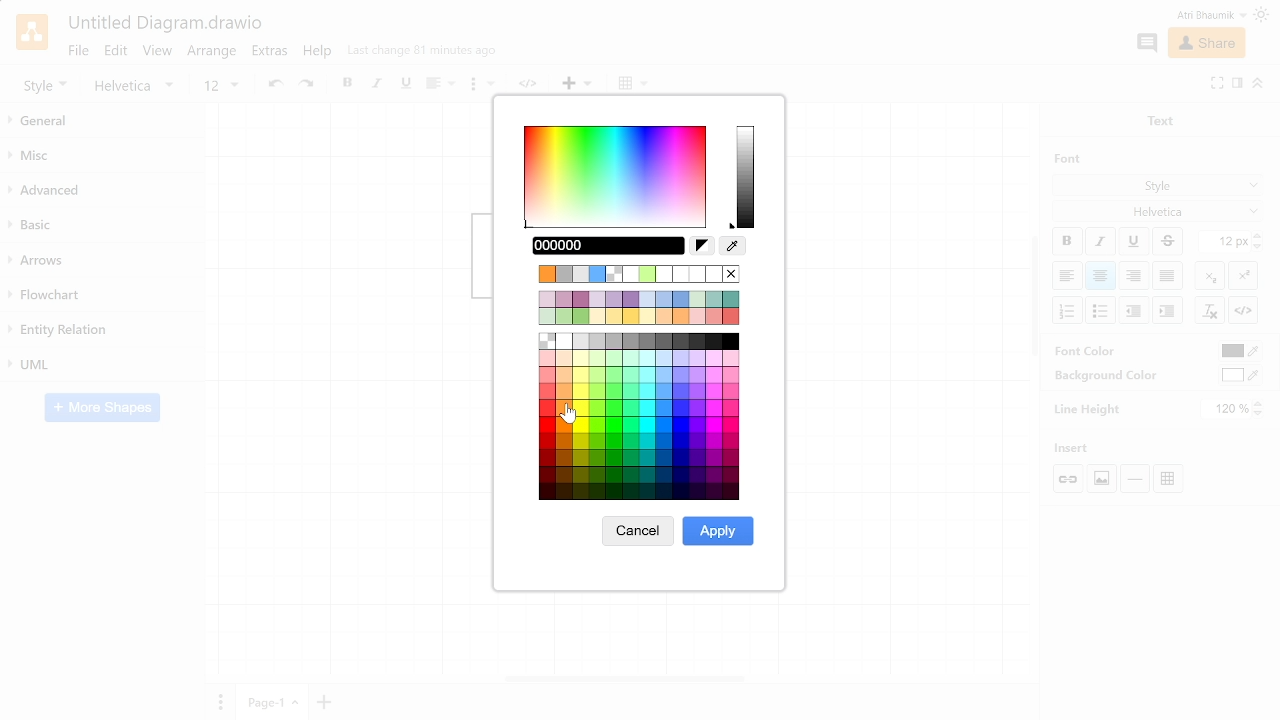 The width and height of the screenshot is (1280, 720). I want to click on Comment, so click(1146, 43).